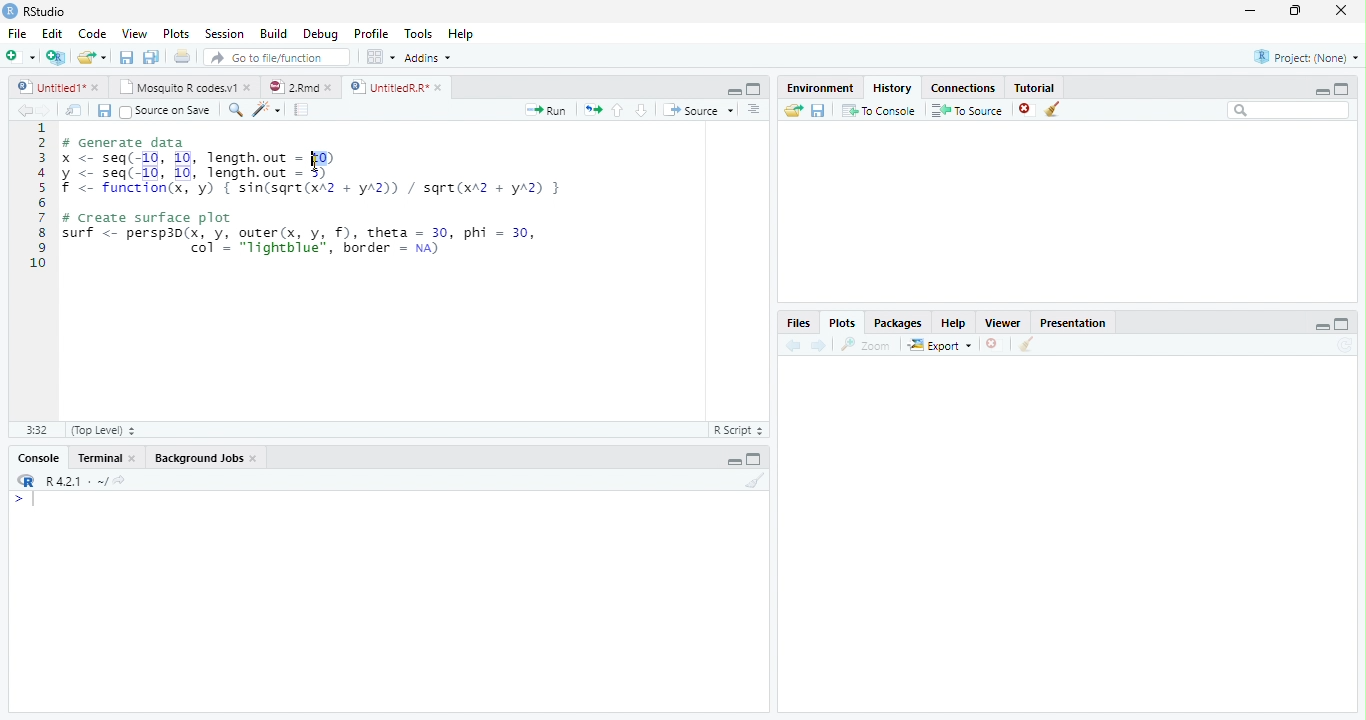 This screenshot has height=720, width=1366. What do you see at coordinates (24, 110) in the screenshot?
I see `Go back to previous source location` at bounding box center [24, 110].